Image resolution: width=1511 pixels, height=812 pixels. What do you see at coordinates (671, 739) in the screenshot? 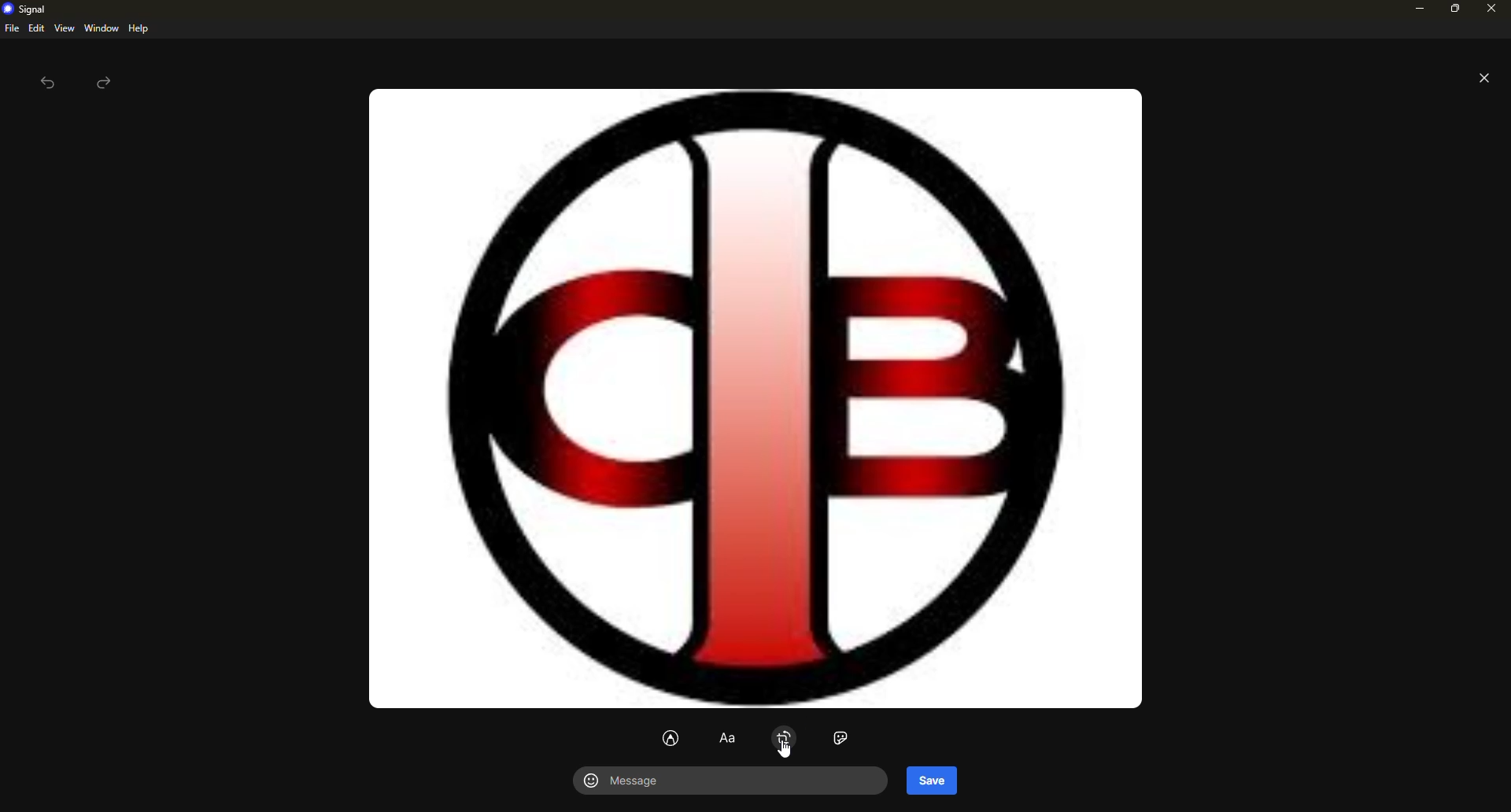
I see `edit` at bounding box center [671, 739].